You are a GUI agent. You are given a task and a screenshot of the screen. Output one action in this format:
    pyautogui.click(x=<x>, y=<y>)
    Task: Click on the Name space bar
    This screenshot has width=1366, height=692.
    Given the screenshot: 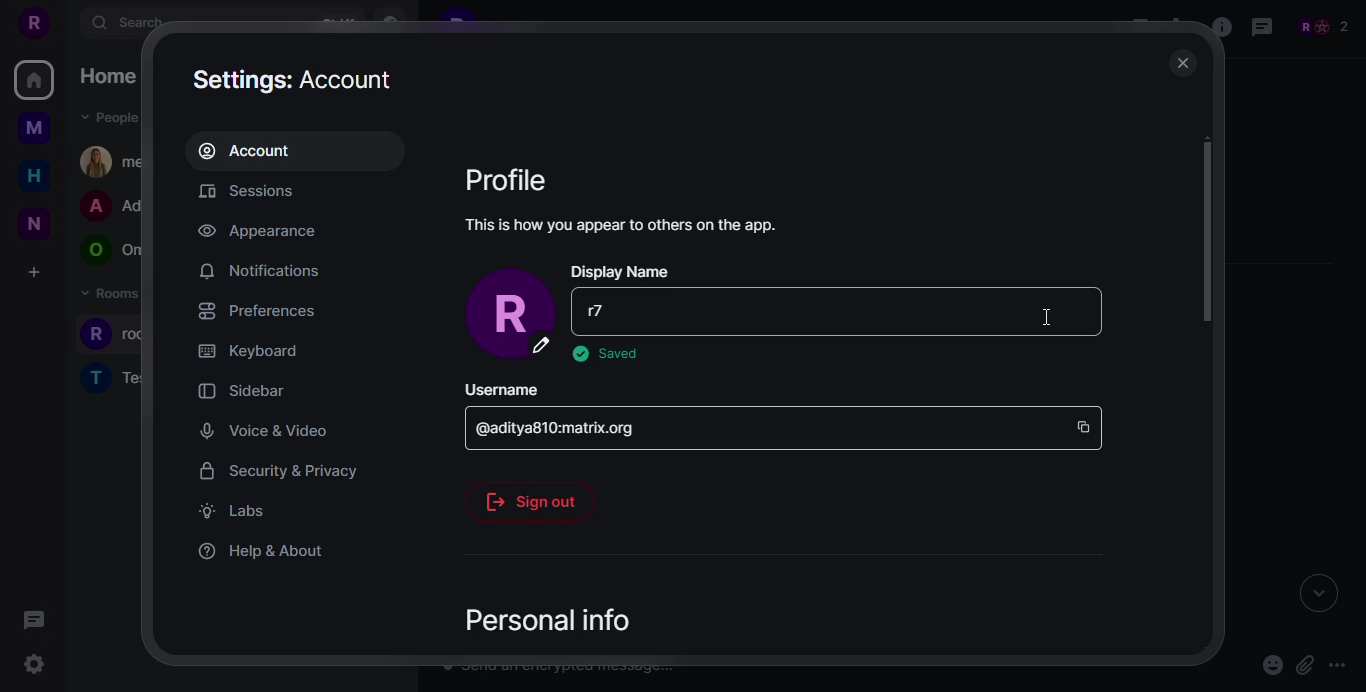 What is the action you would take?
    pyautogui.click(x=734, y=306)
    